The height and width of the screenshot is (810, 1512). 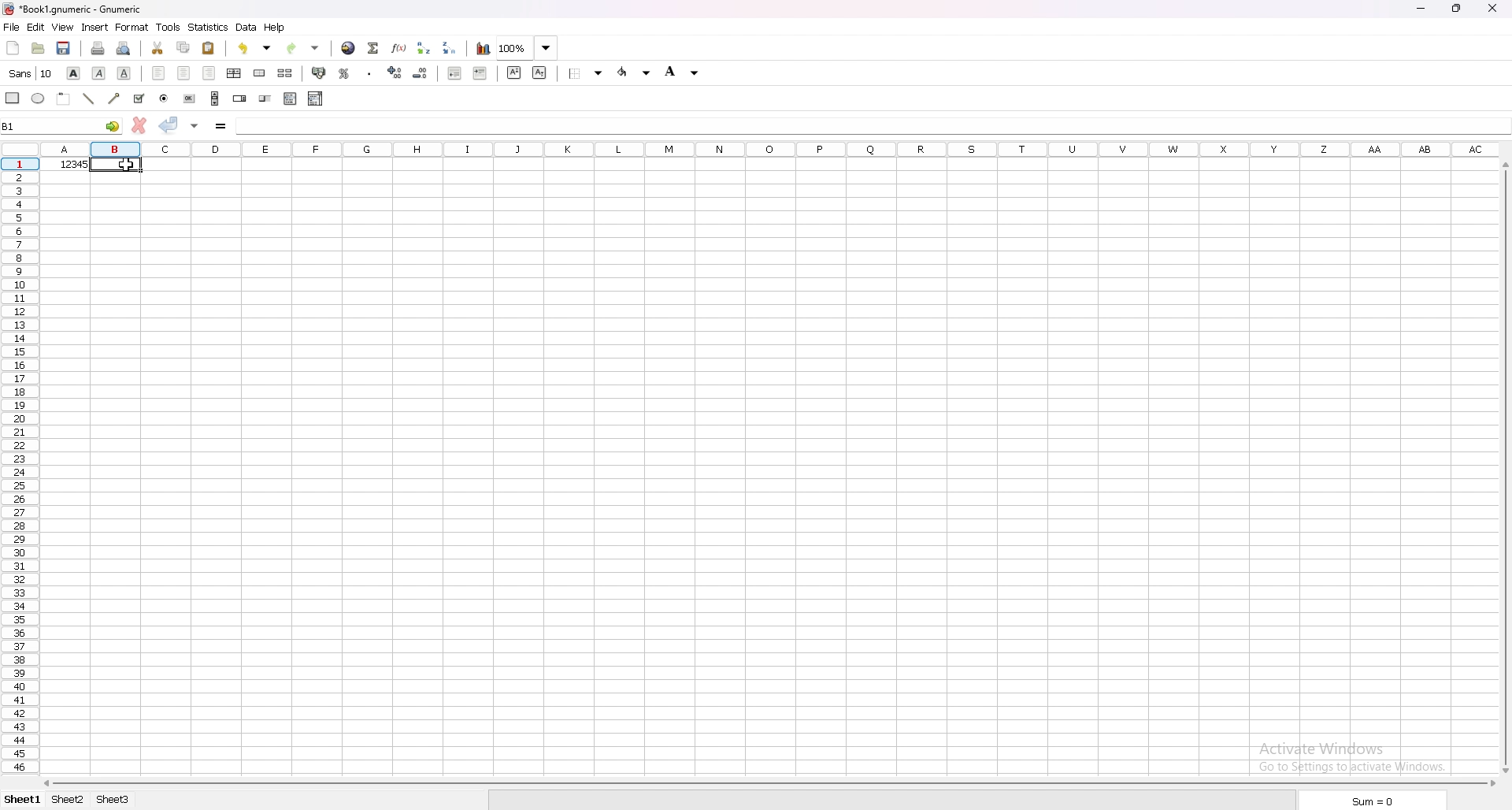 I want to click on font, so click(x=32, y=73).